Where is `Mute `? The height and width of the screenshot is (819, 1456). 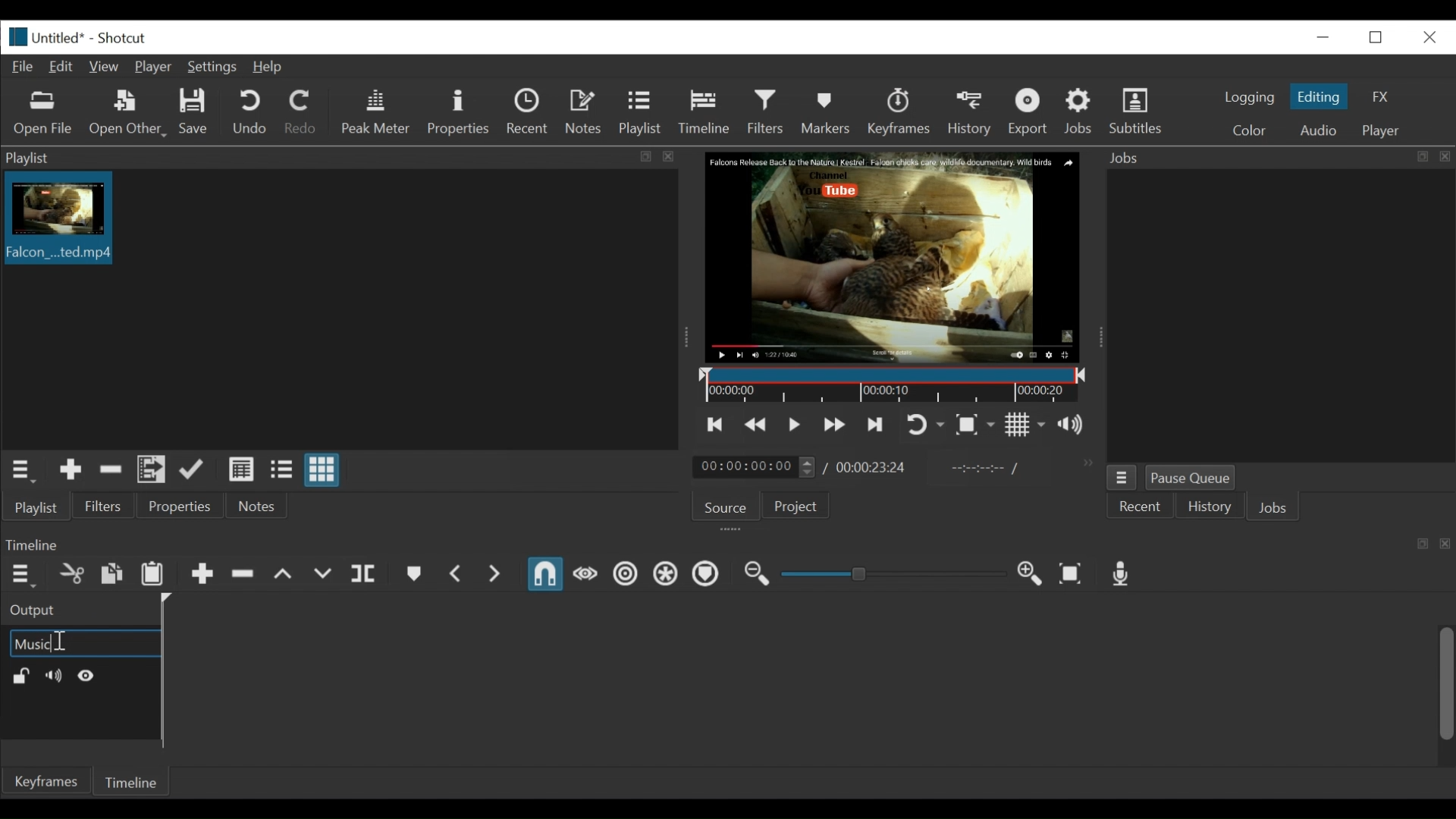 Mute  is located at coordinates (51, 676).